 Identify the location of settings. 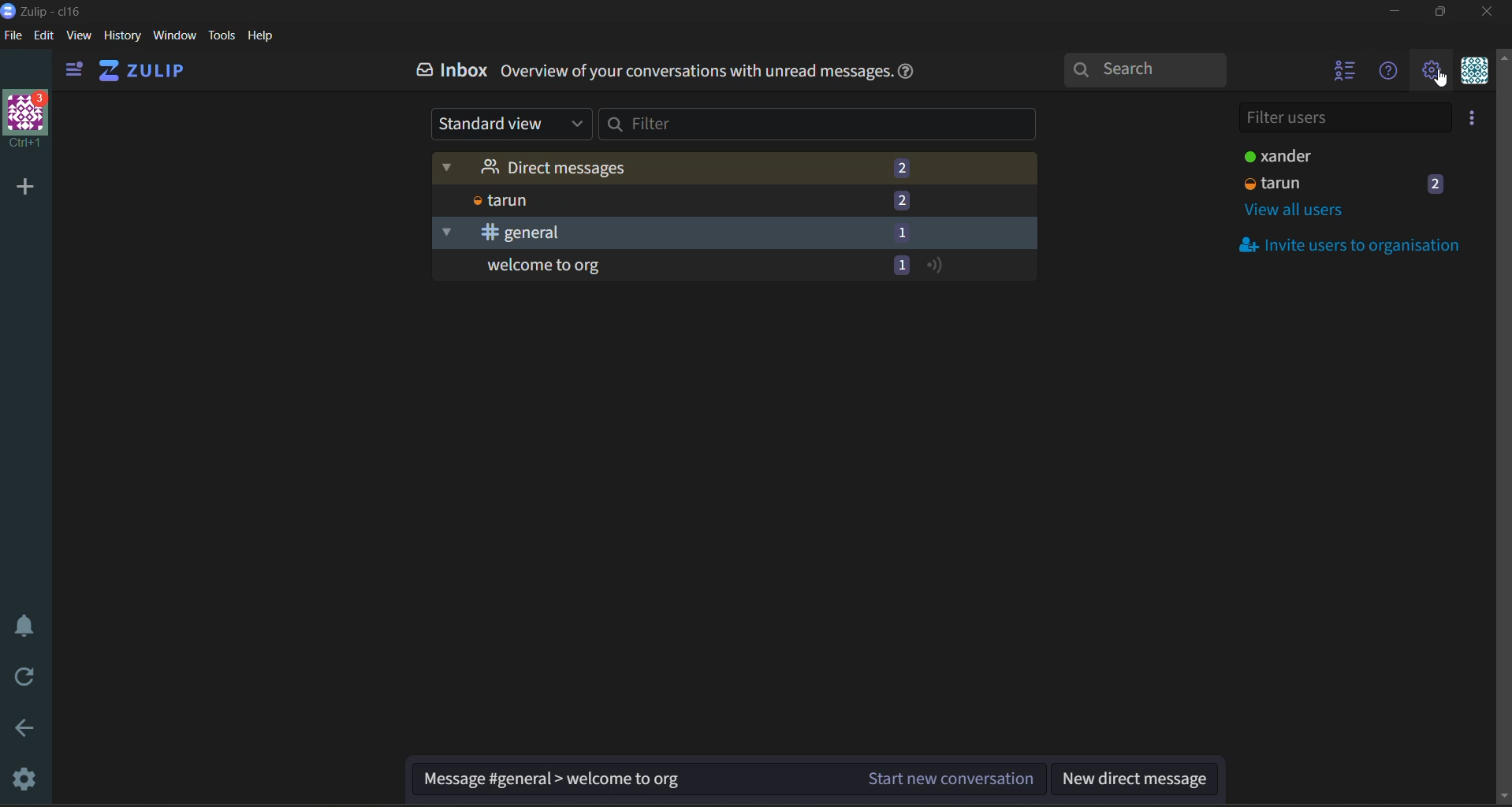
(20, 776).